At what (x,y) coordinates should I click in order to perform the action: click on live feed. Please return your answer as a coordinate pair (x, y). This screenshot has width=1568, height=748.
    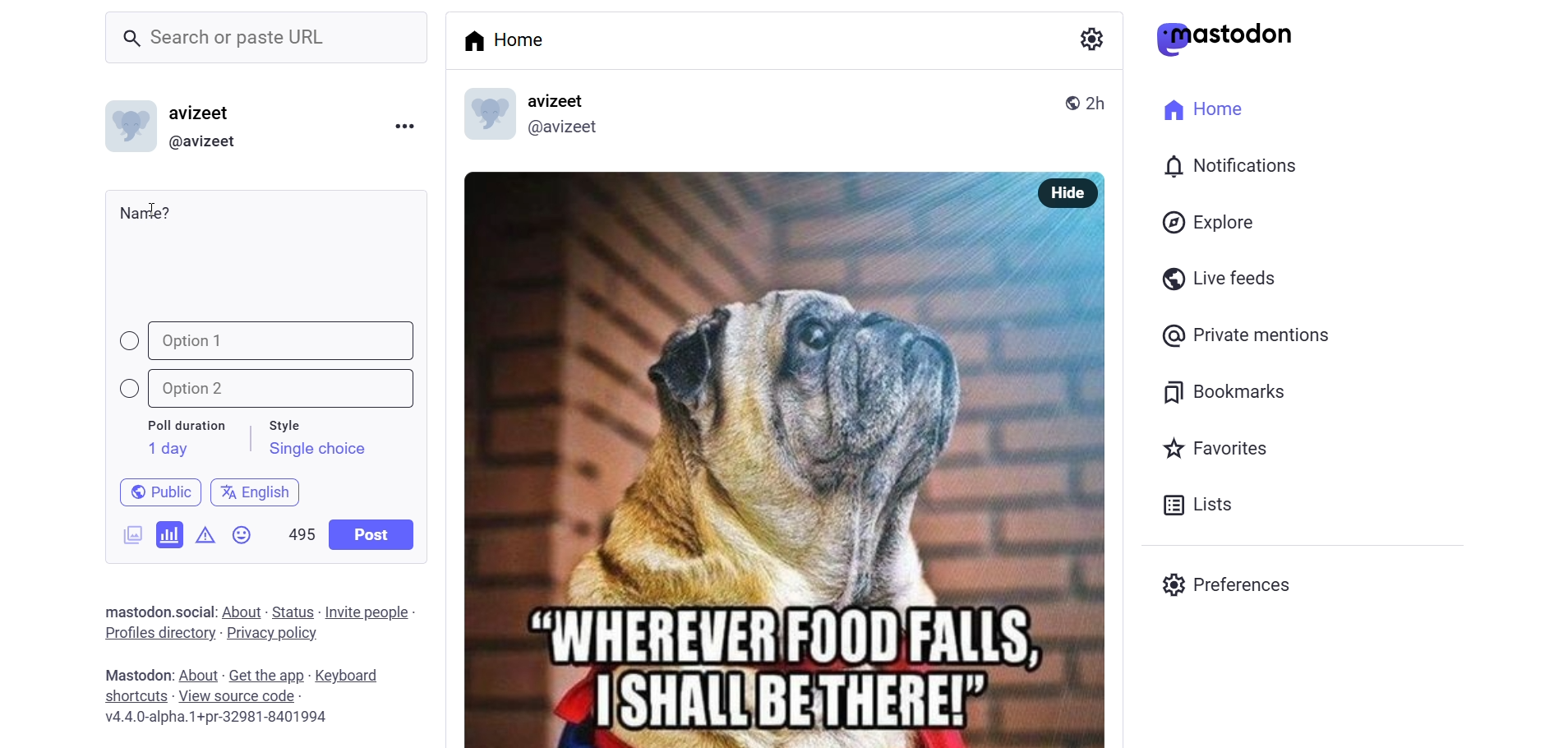
    Looking at the image, I should click on (1215, 277).